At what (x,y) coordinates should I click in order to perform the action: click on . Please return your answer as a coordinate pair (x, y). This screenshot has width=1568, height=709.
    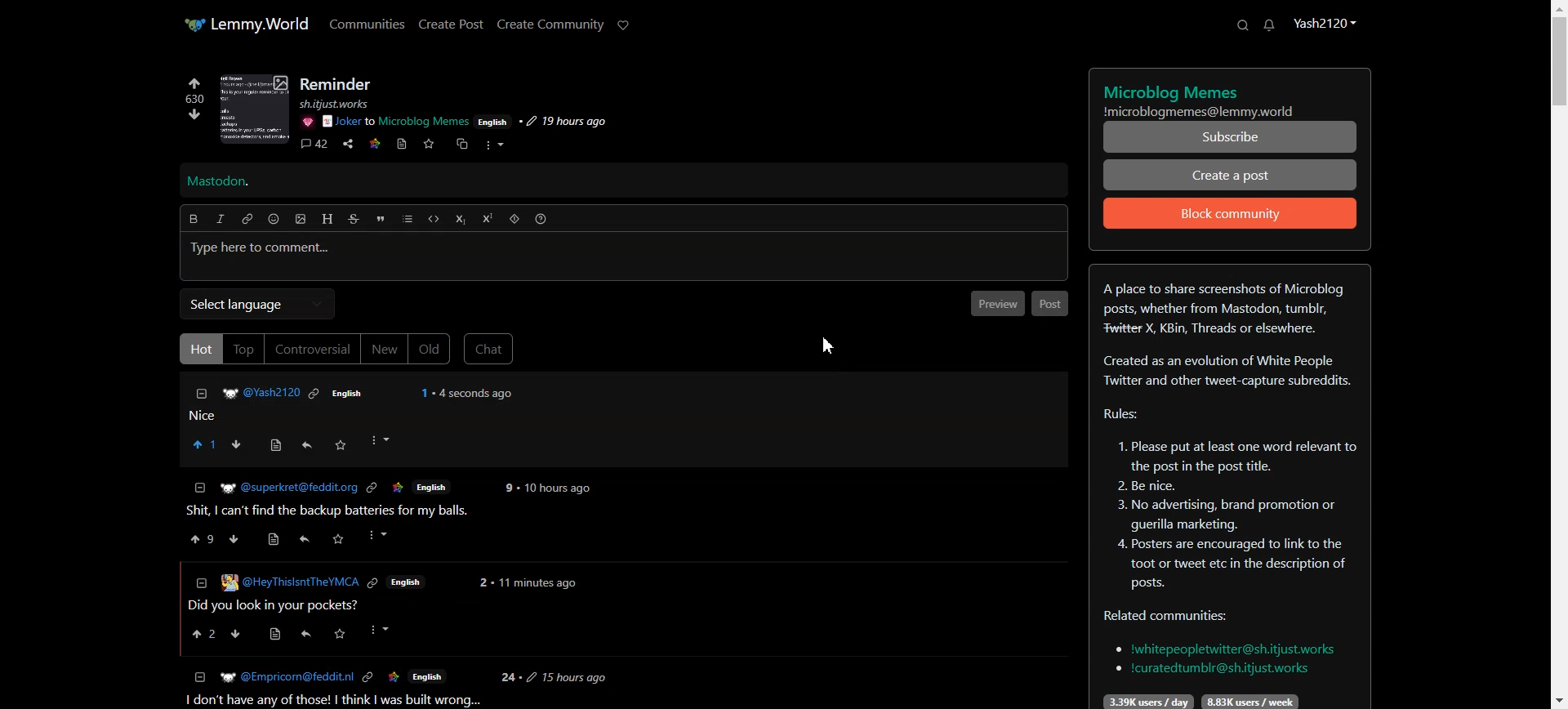
    Looking at the image, I should click on (306, 122).